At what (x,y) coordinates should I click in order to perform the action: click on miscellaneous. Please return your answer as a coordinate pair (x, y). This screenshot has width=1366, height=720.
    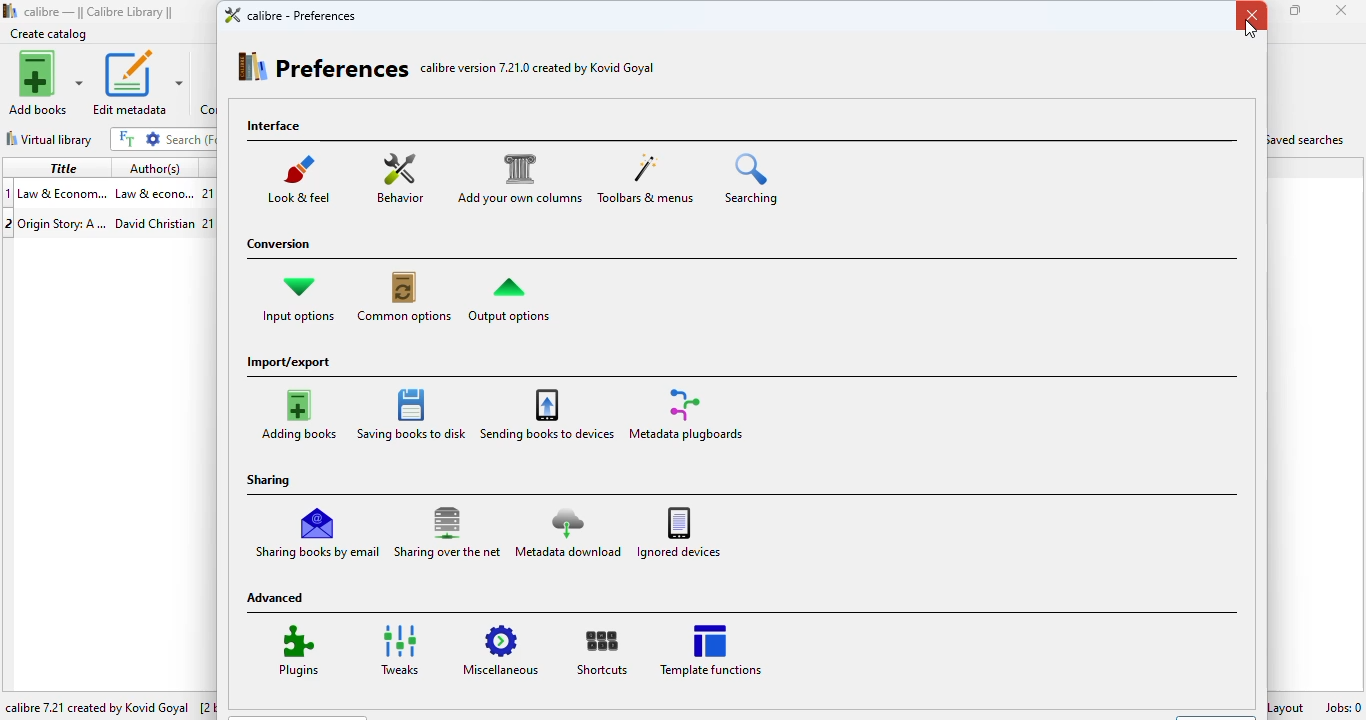
    Looking at the image, I should click on (502, 649).